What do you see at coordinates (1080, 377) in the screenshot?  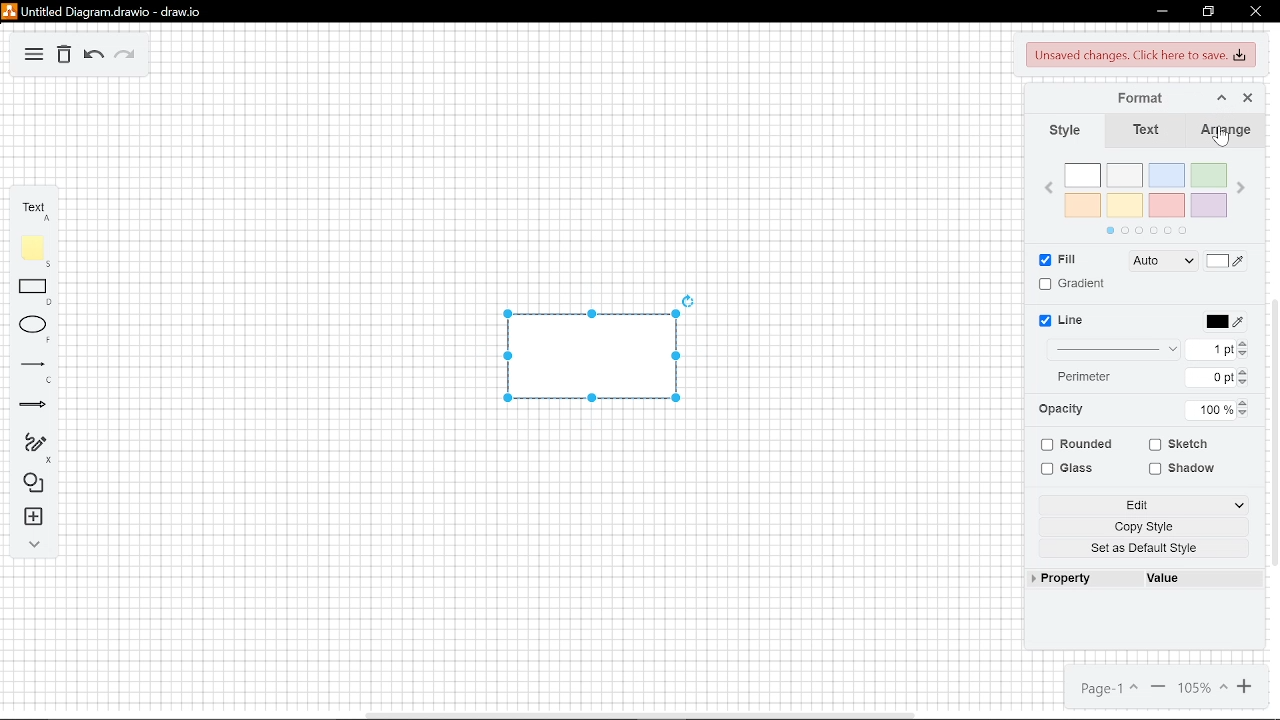 I see `perimeter` at bounding box center [1080, 377].